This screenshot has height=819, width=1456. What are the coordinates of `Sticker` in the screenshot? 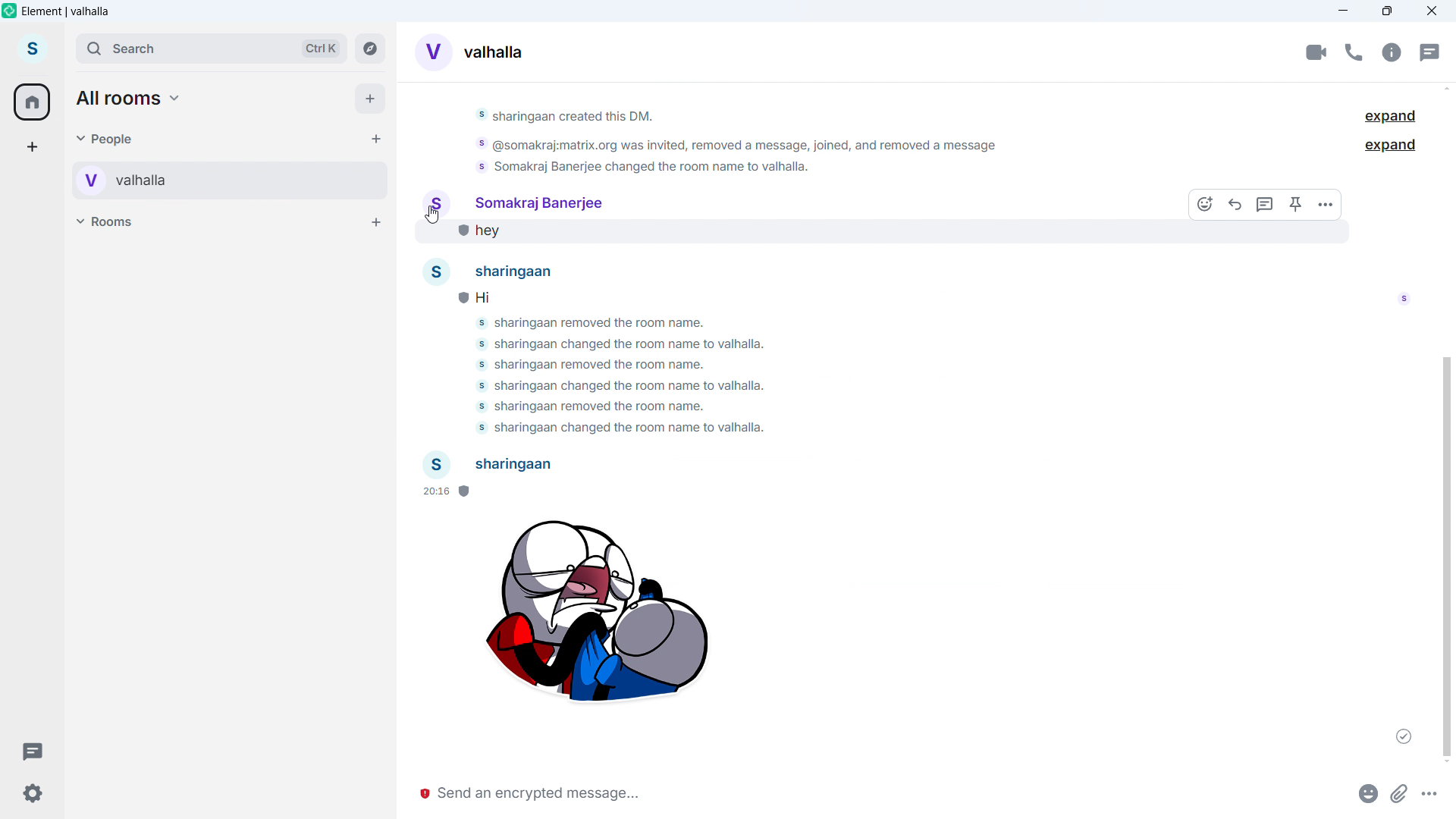 It's located at (595, 617).